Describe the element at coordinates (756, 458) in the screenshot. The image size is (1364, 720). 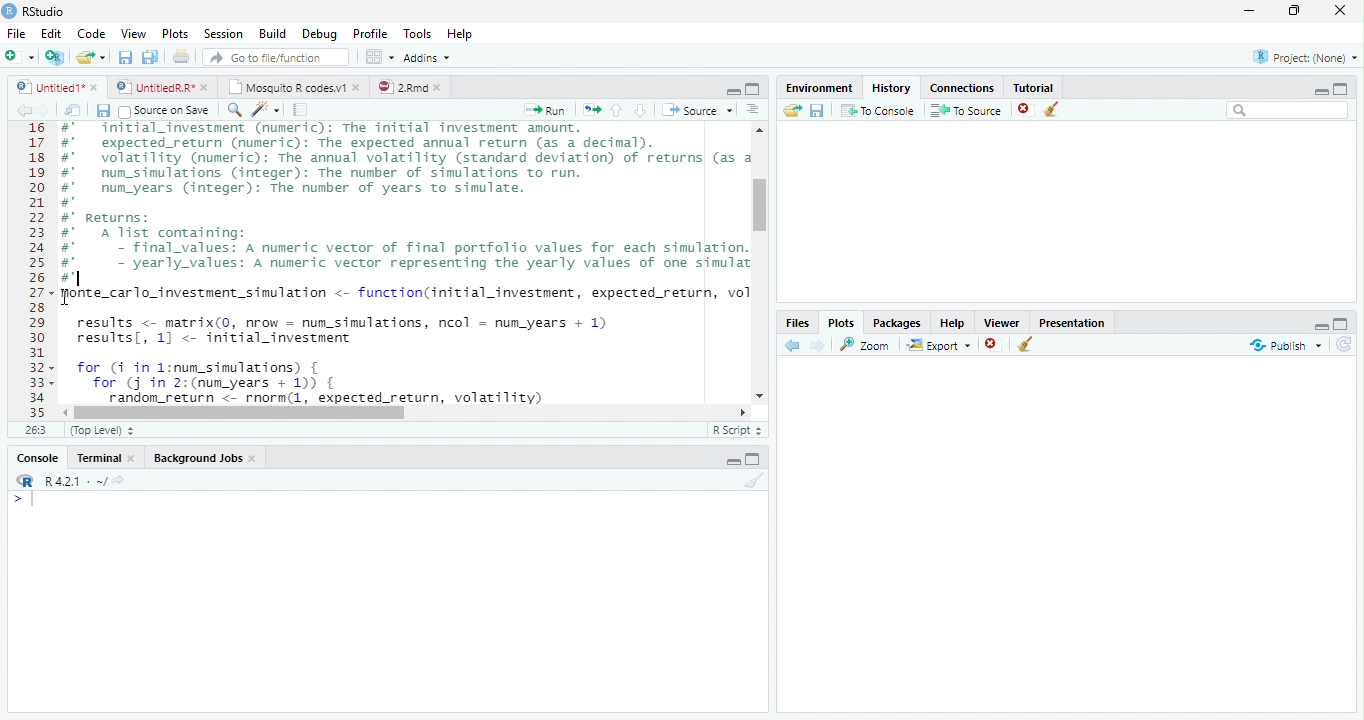
I see `Full Height` at that location.